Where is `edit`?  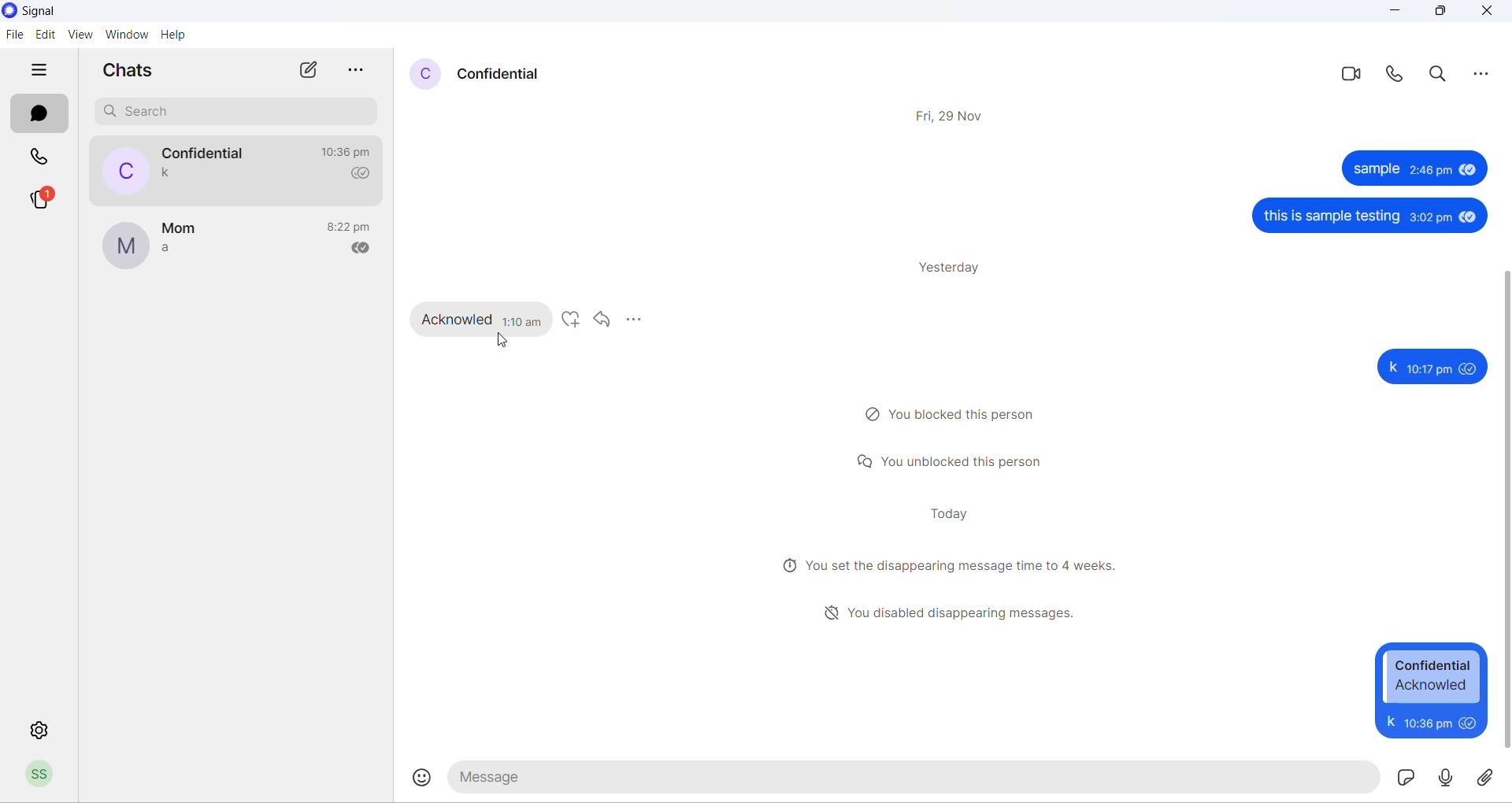
edit is located at coordinates (46, 35).